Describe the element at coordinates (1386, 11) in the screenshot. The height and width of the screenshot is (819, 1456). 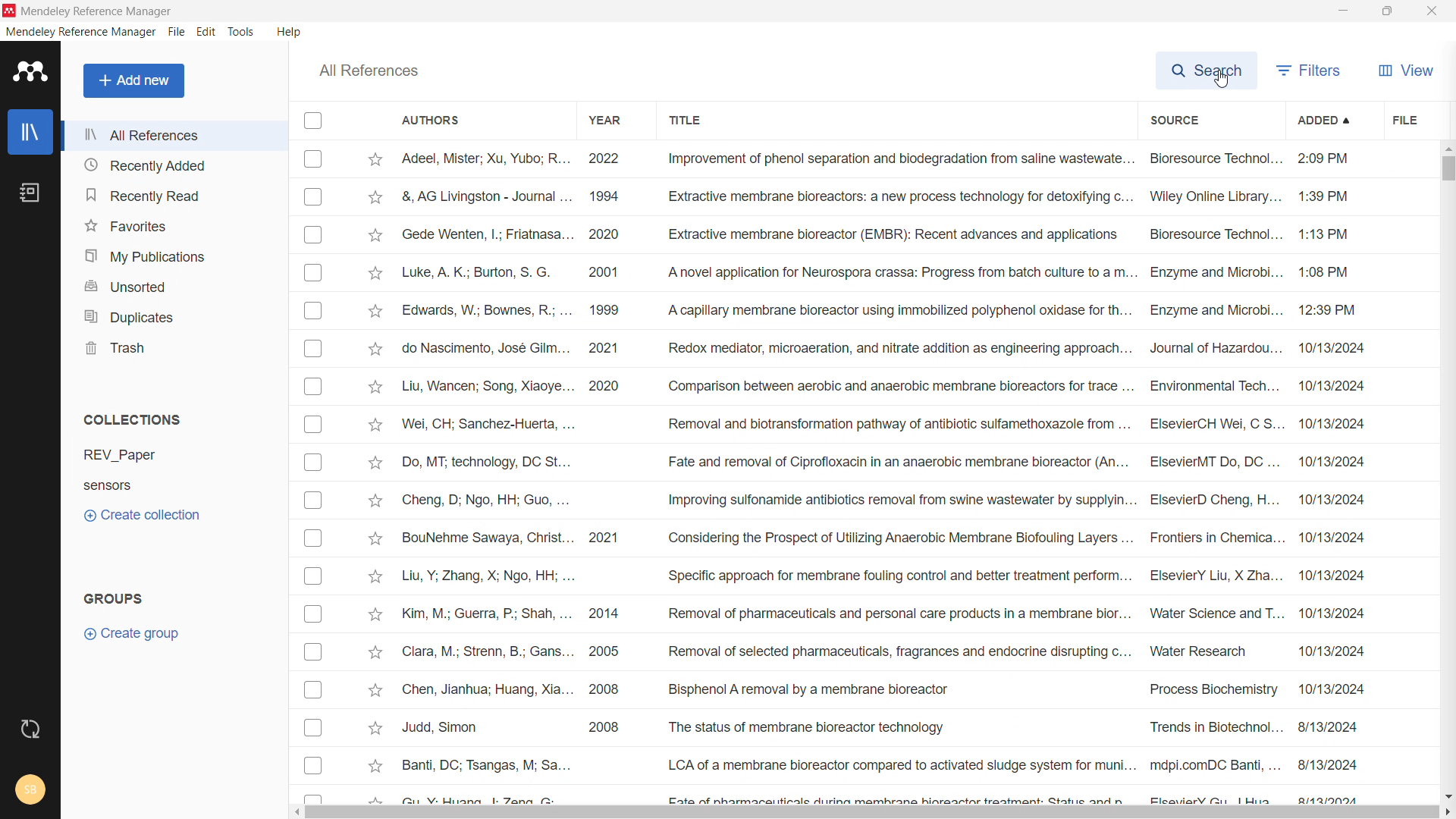
I see `maximize` at that location.